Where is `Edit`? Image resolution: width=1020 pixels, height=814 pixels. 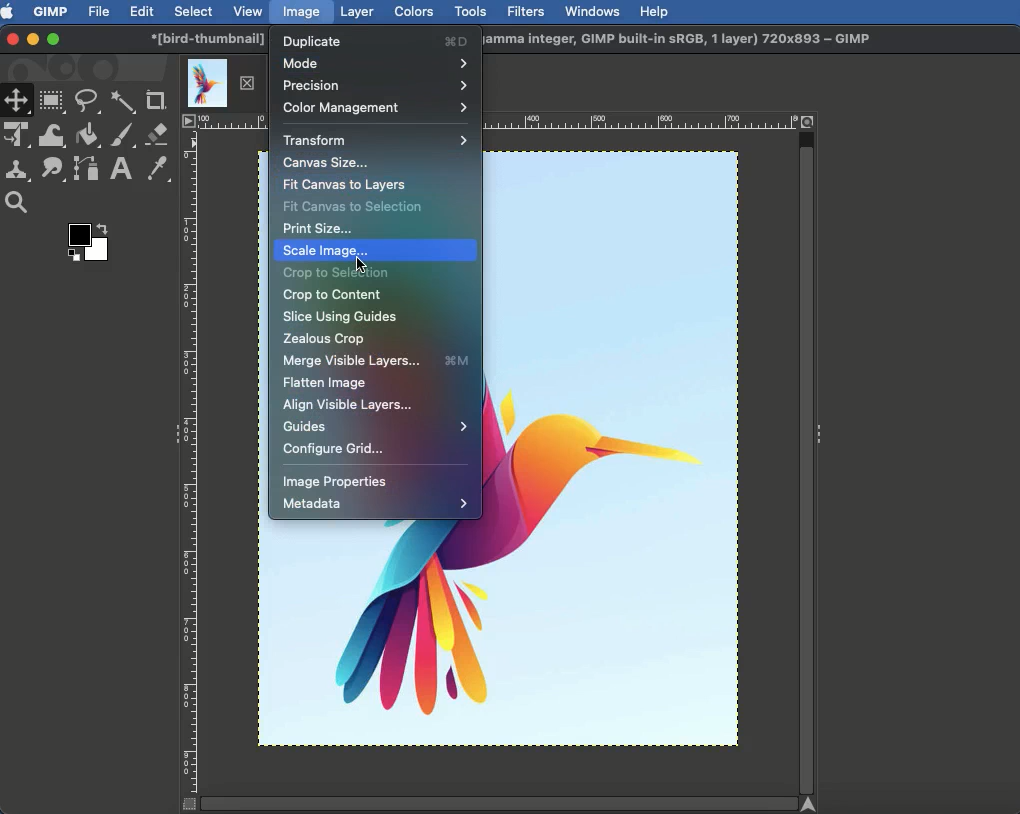 Edit is located at coordinates (141, 11).